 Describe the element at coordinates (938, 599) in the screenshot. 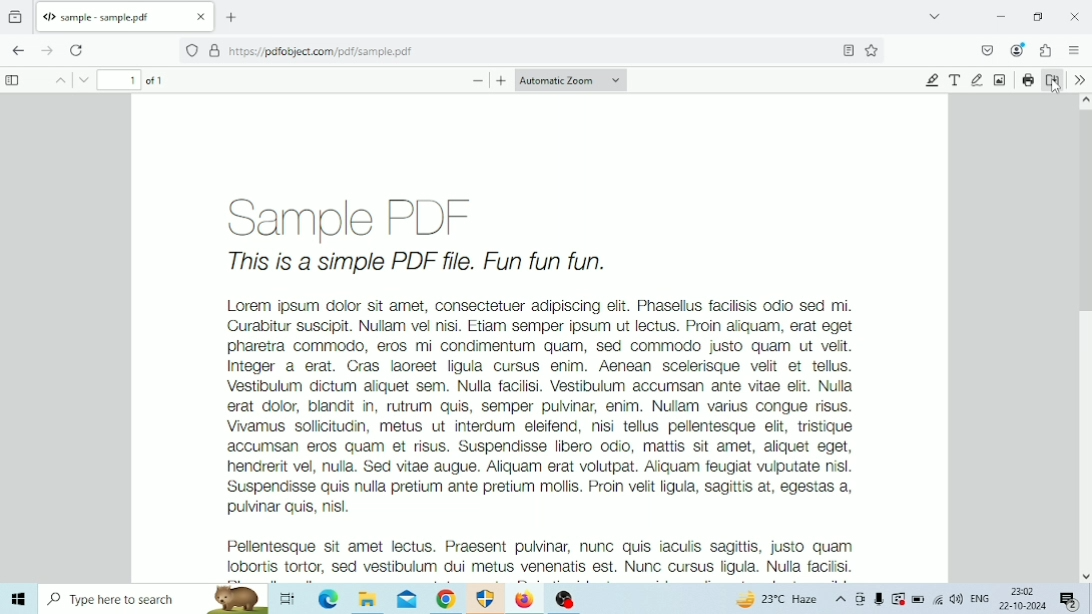

I see `Internet` at that location.